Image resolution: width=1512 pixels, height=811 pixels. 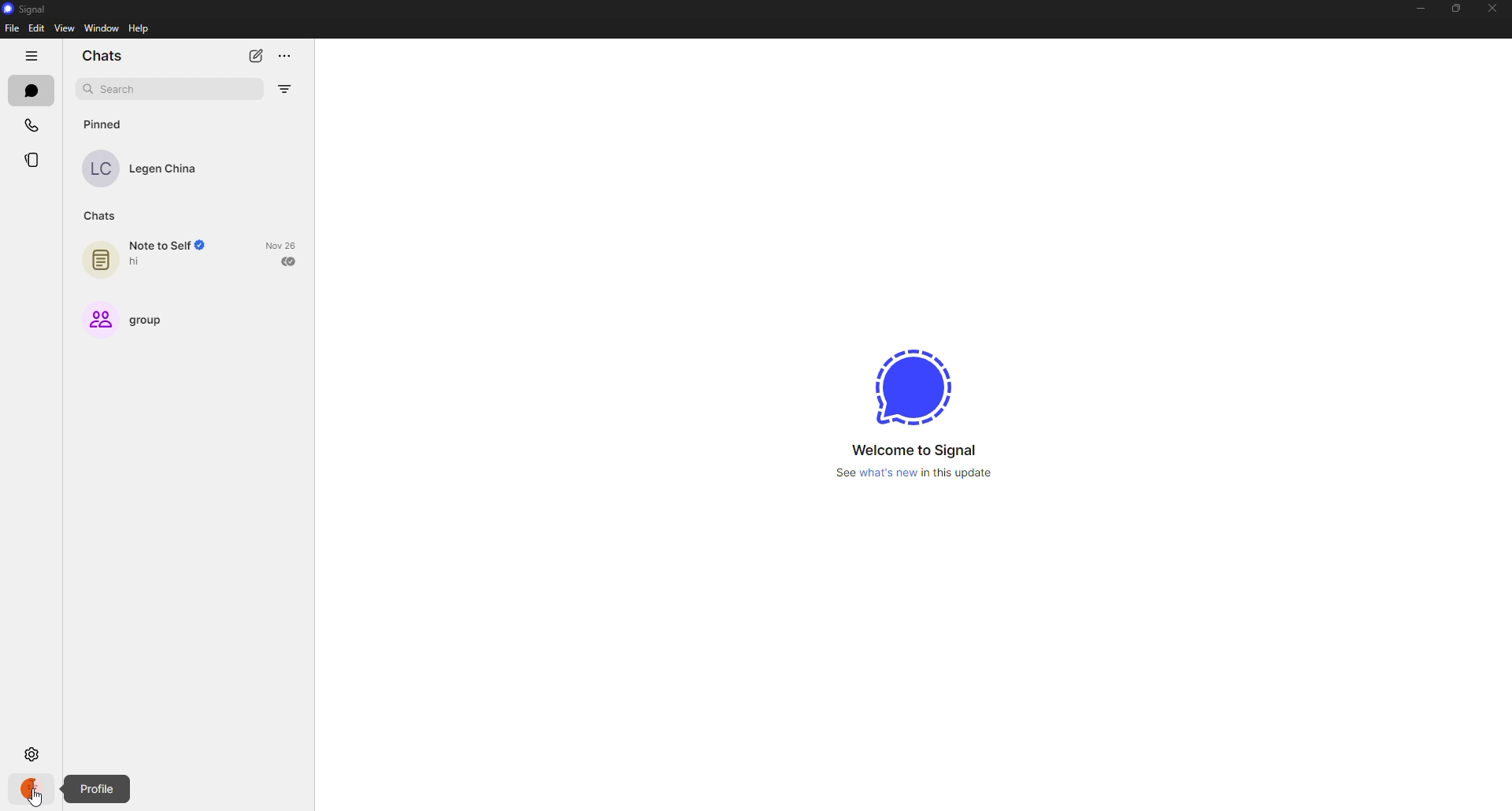 I want to click on hide tabs, so click(x=31, y=55).